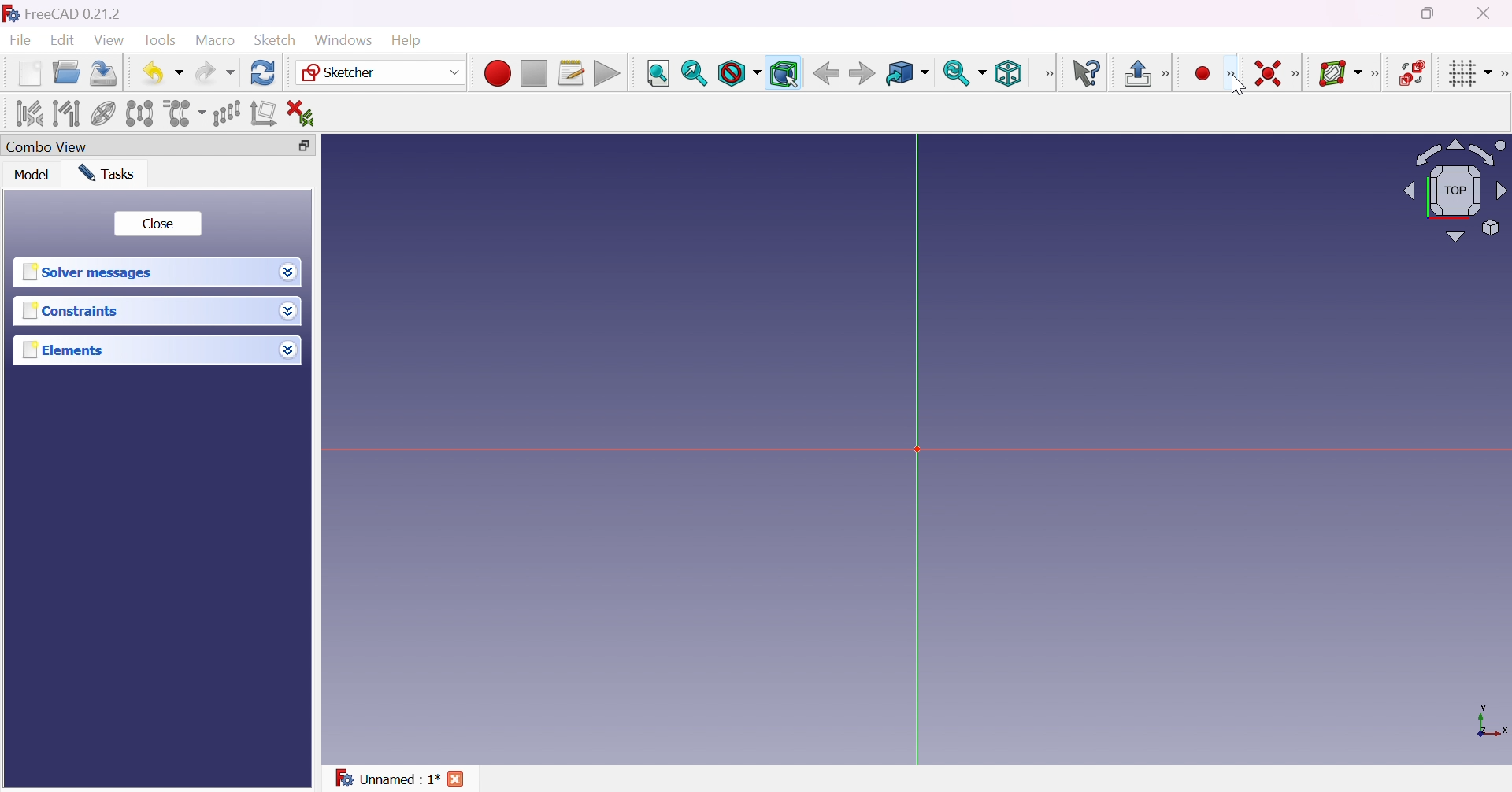  I want to click on Switch virtual space, so click(1410, 72).